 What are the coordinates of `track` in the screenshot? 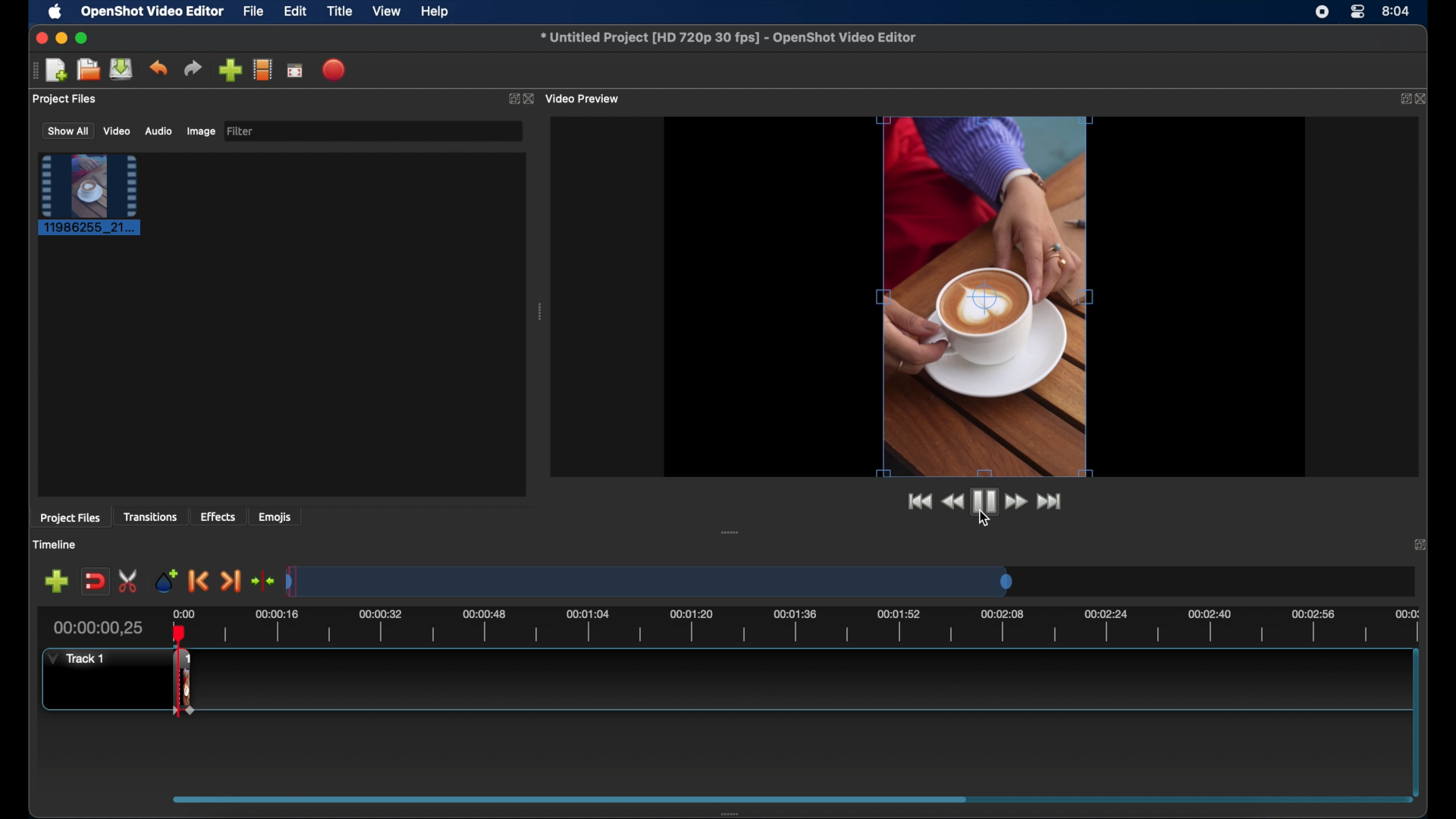 It's located at (184, 682).